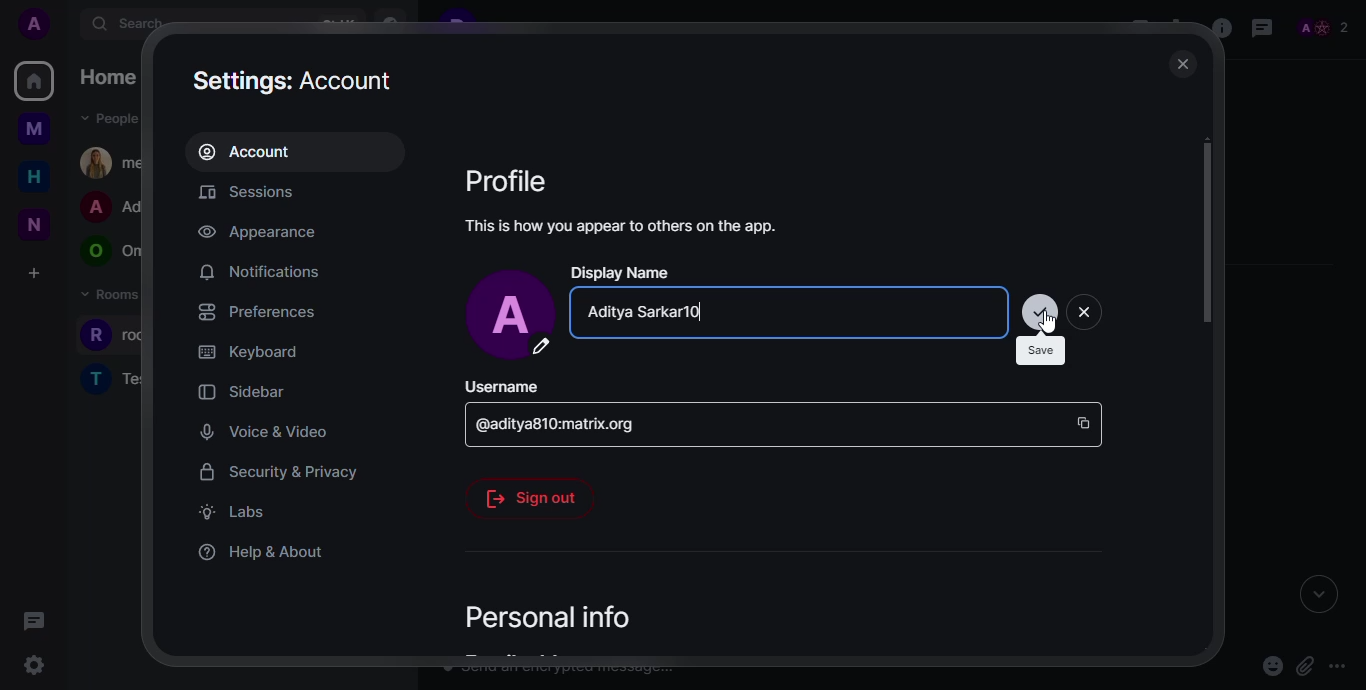 The image size is (1366, 690). Describe the element at coordinates (1043, 350) in the screenshot. I see `save` at that location.